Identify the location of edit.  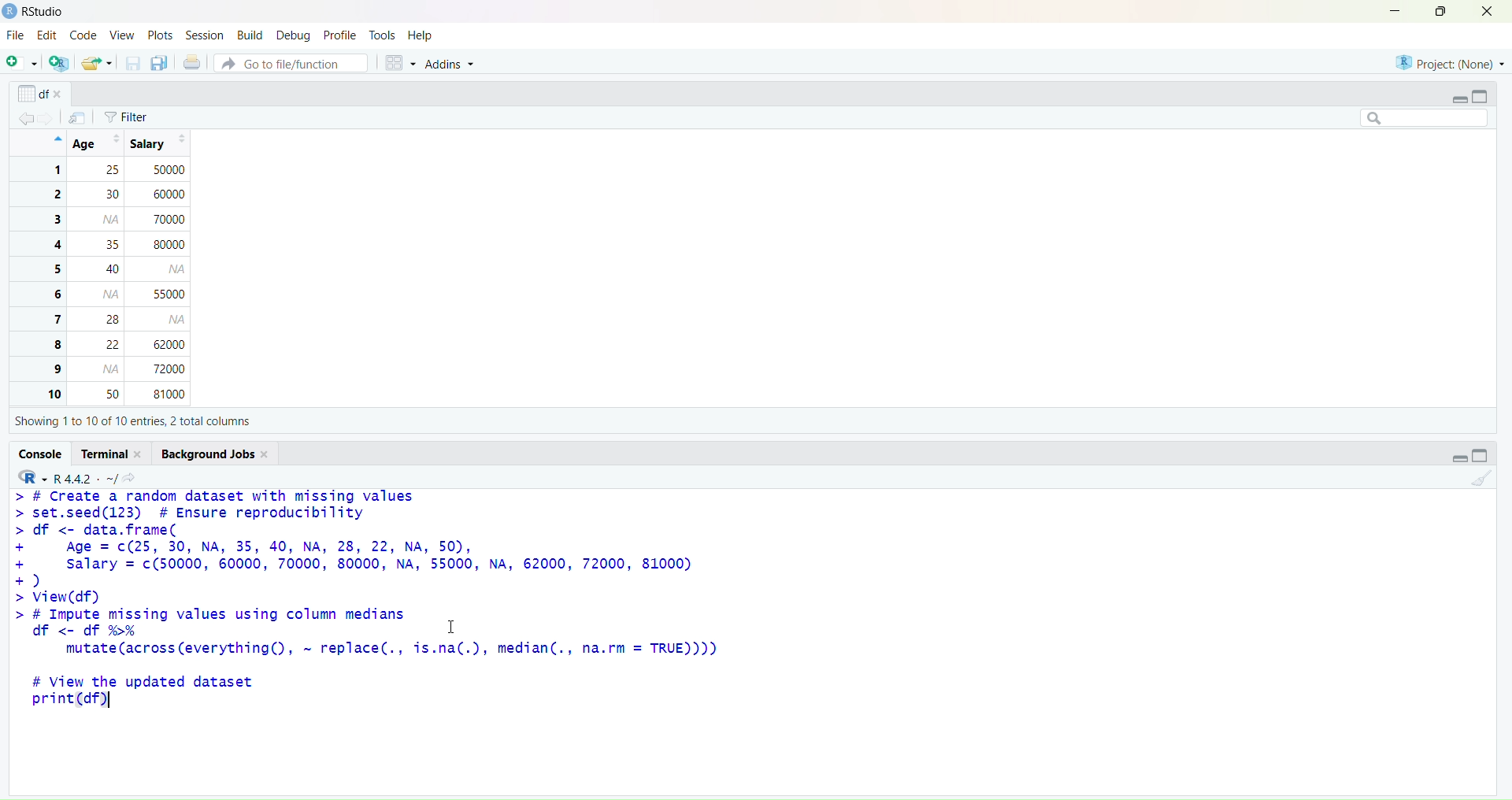
(48, 35).